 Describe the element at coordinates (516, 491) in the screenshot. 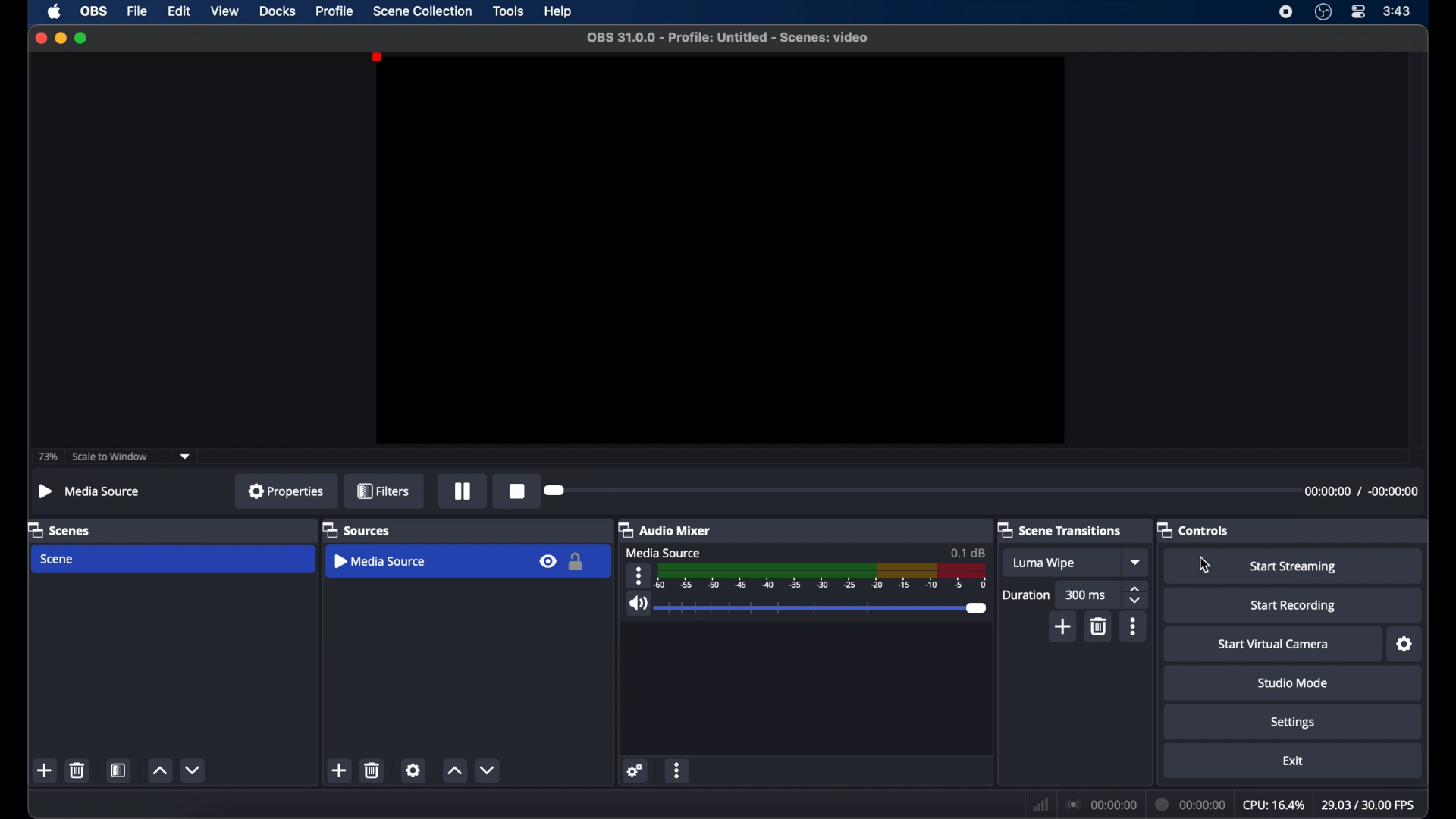

I see `stop` at that location.